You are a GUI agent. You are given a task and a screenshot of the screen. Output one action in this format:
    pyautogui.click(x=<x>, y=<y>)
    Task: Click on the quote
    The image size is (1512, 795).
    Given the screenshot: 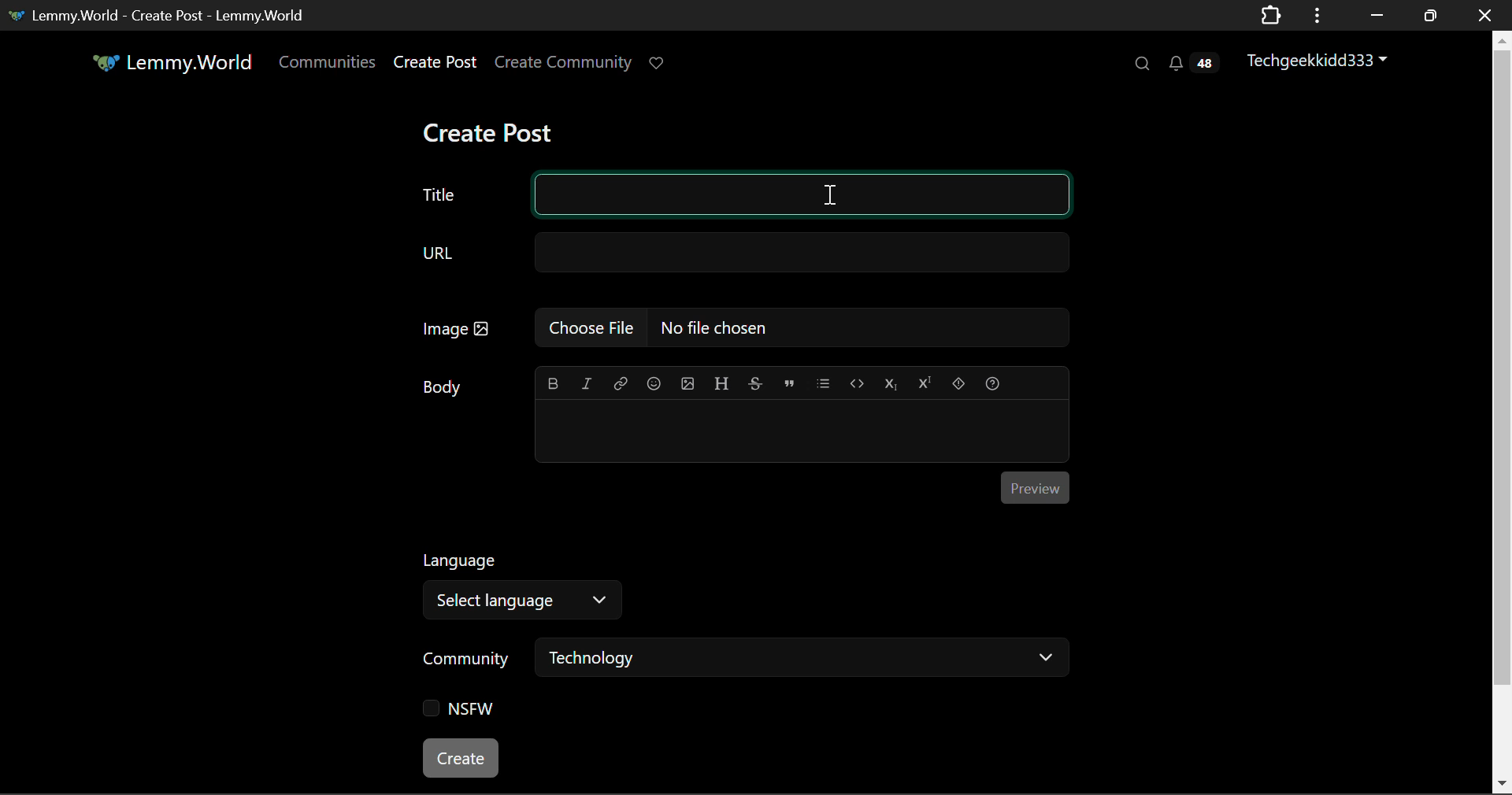 What is the action you would take?
    pyautogui.click(x=790, y=382)
    